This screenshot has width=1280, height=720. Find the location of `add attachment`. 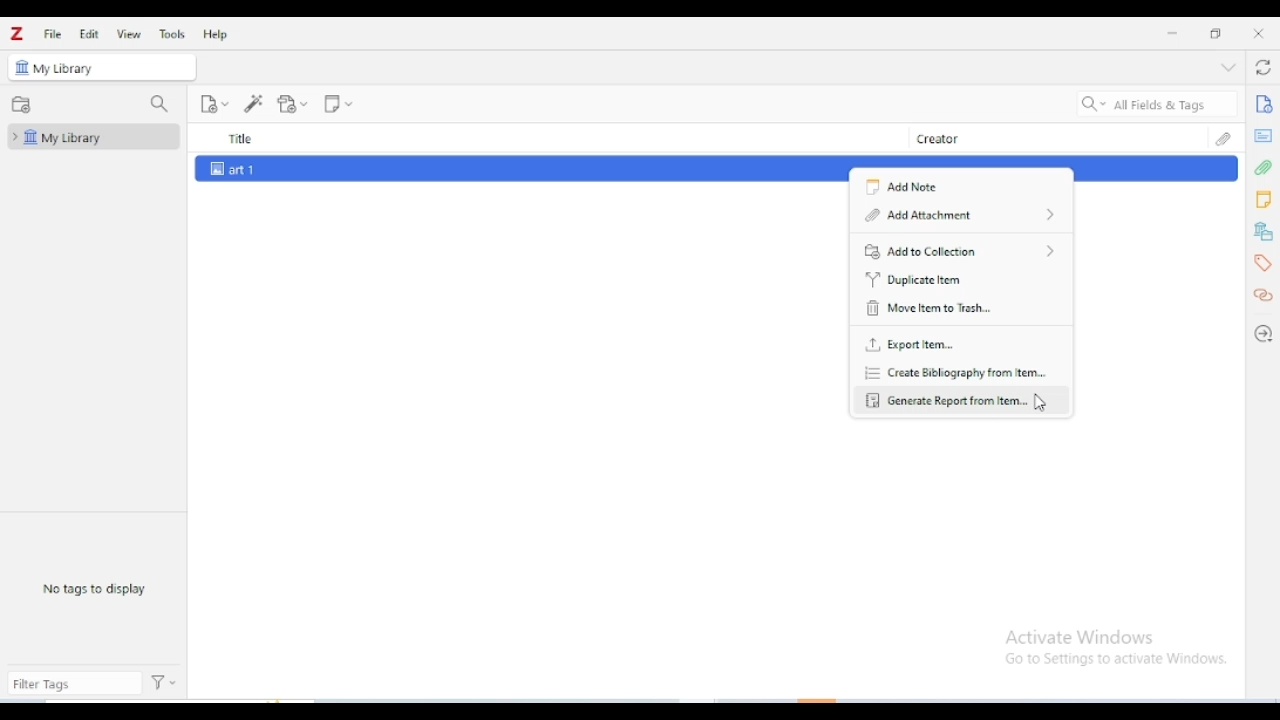

add attachment is located at coordinates (960, 213).